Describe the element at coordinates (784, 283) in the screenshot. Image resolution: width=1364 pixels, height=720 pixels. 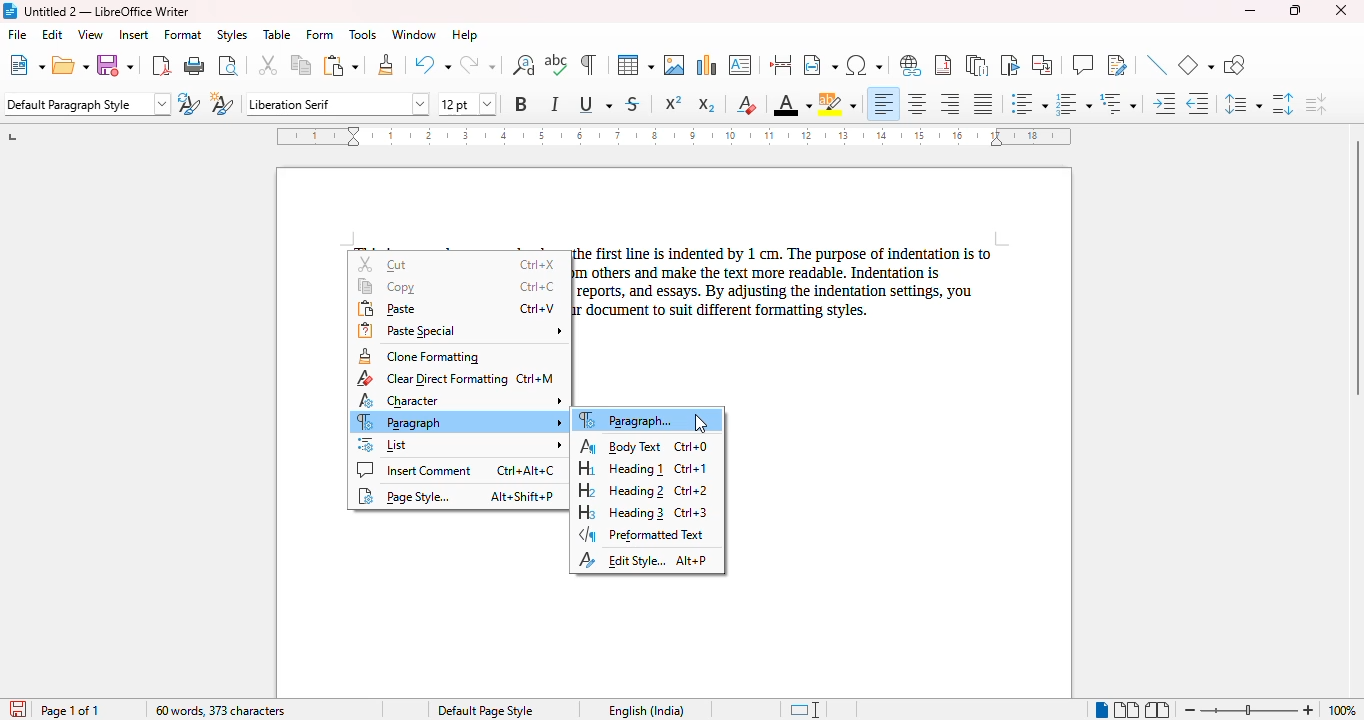
I see `paragraph` at that location.